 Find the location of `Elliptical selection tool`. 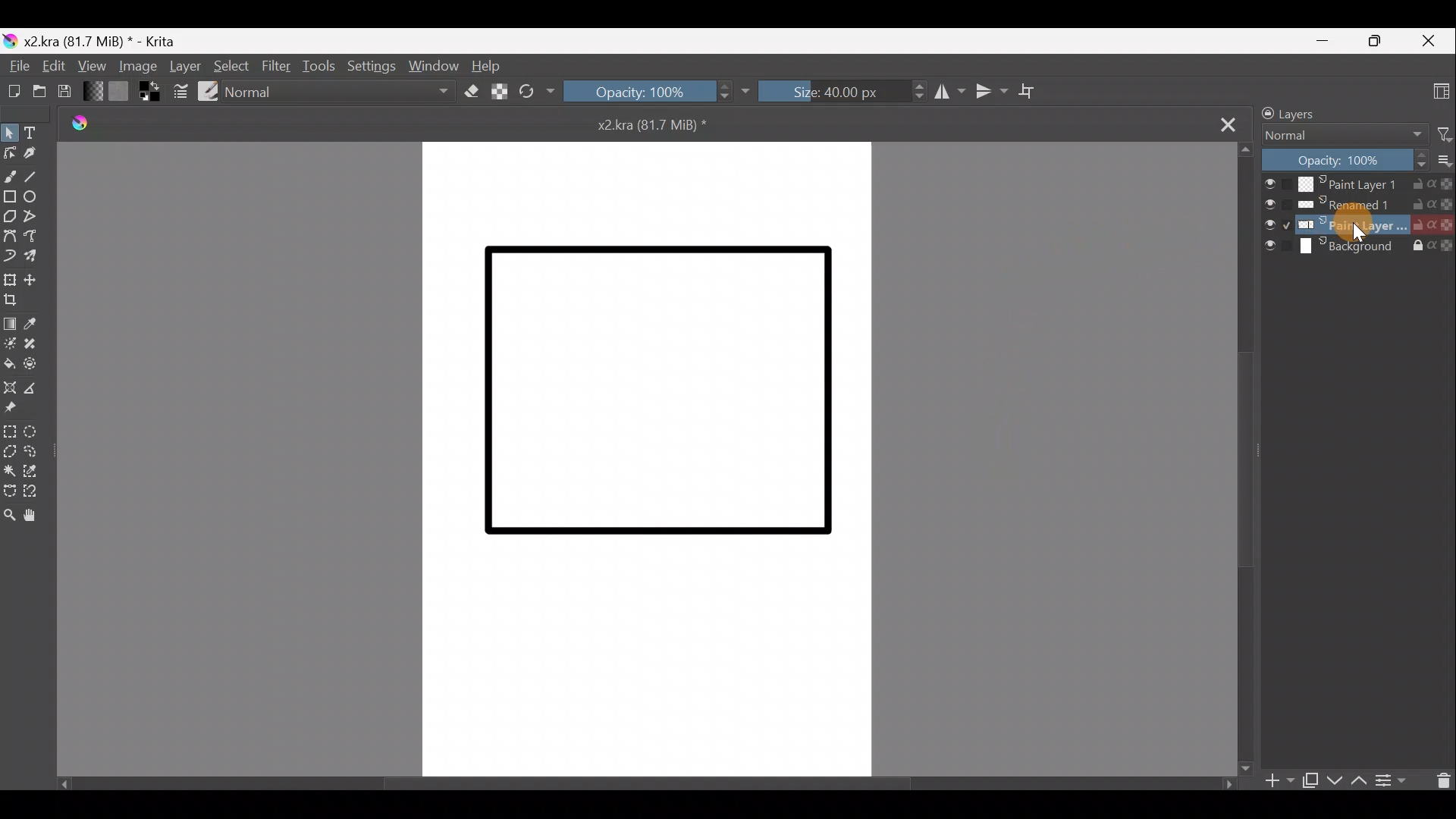

Elliptical selection tool is located at coordinates (34, 431).